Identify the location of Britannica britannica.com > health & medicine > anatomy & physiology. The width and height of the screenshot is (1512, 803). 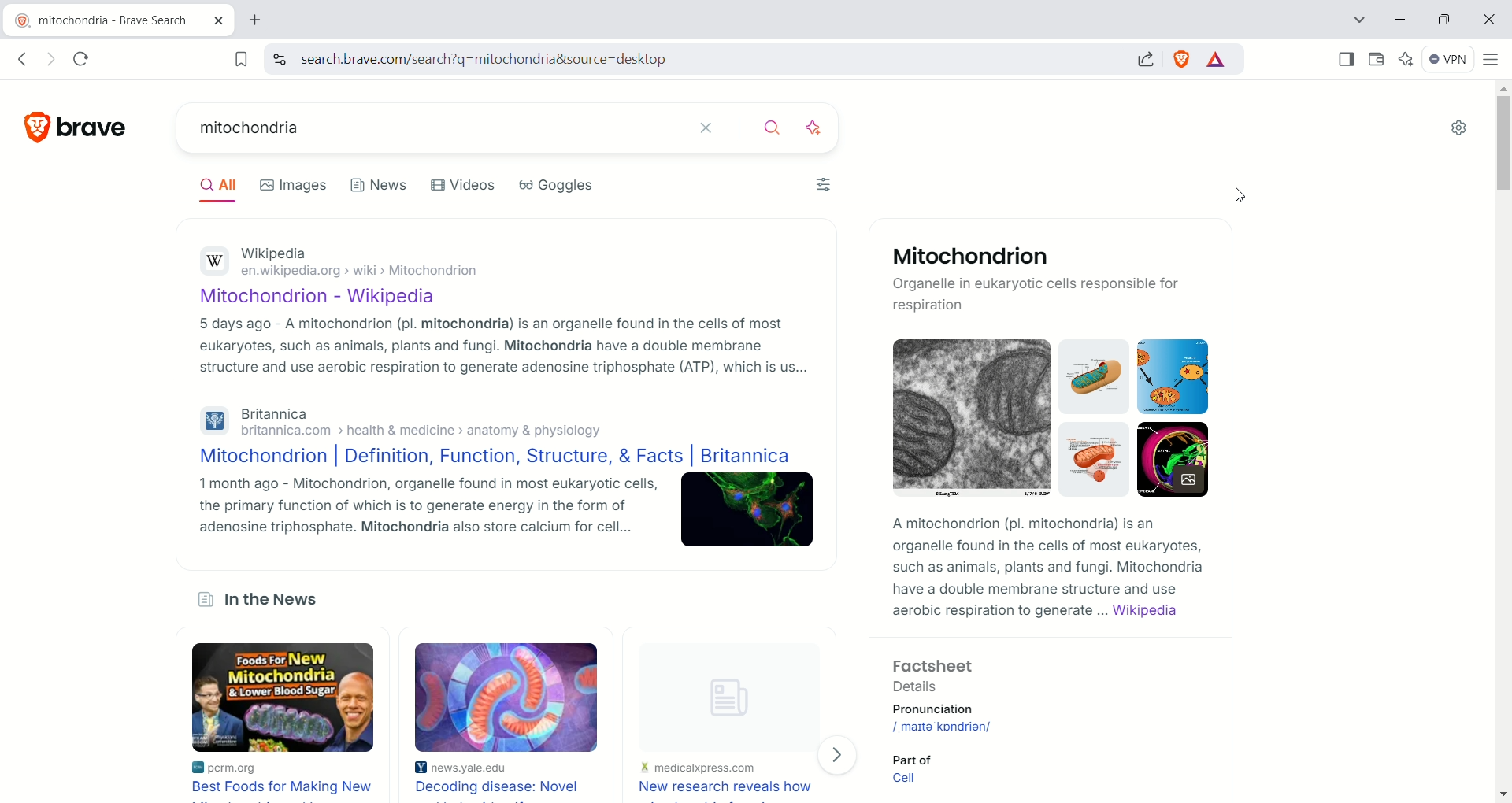
(413, 422).